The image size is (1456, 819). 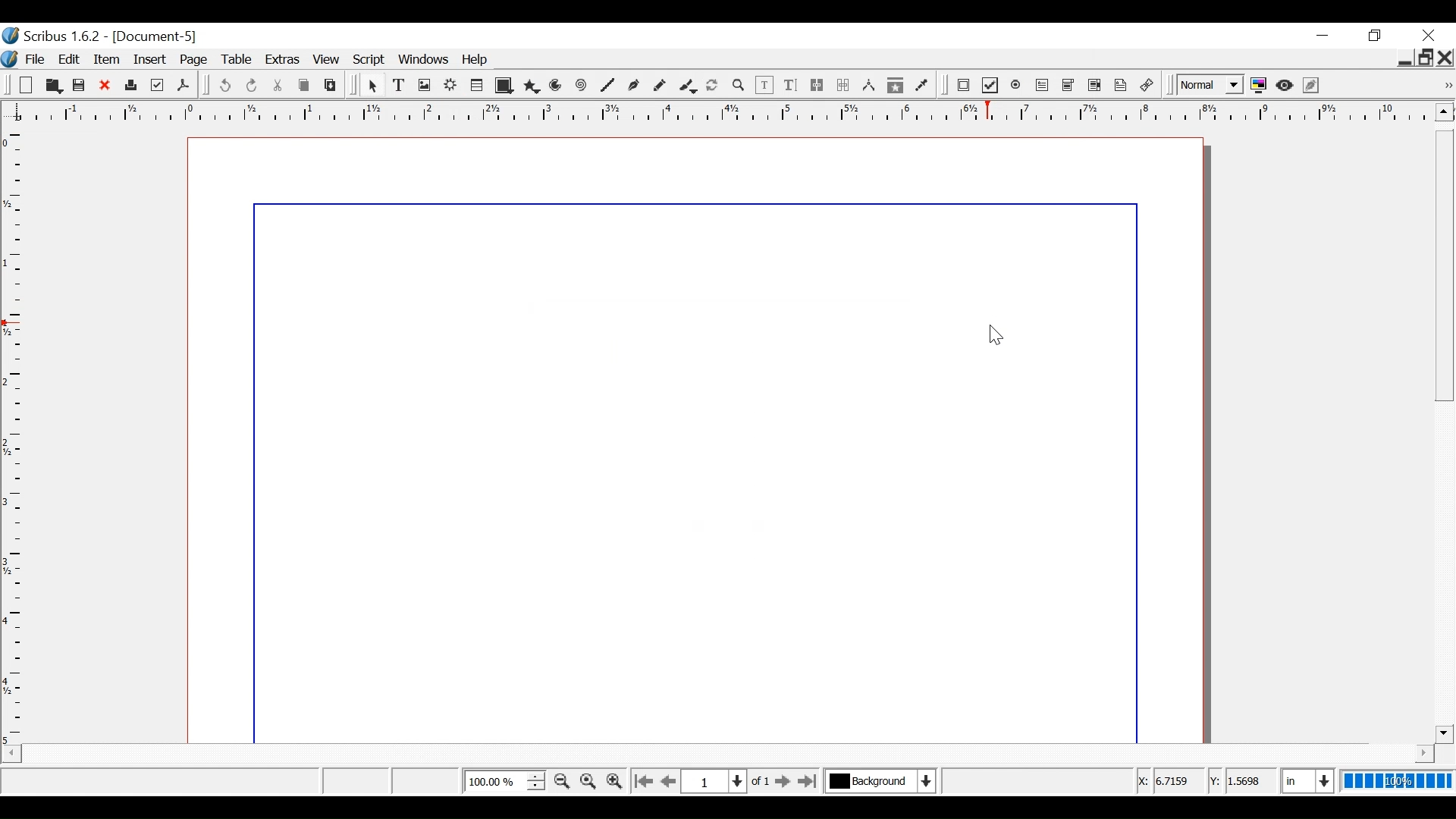 I want to click on PDF Text field, so click(x=1043, y=86).